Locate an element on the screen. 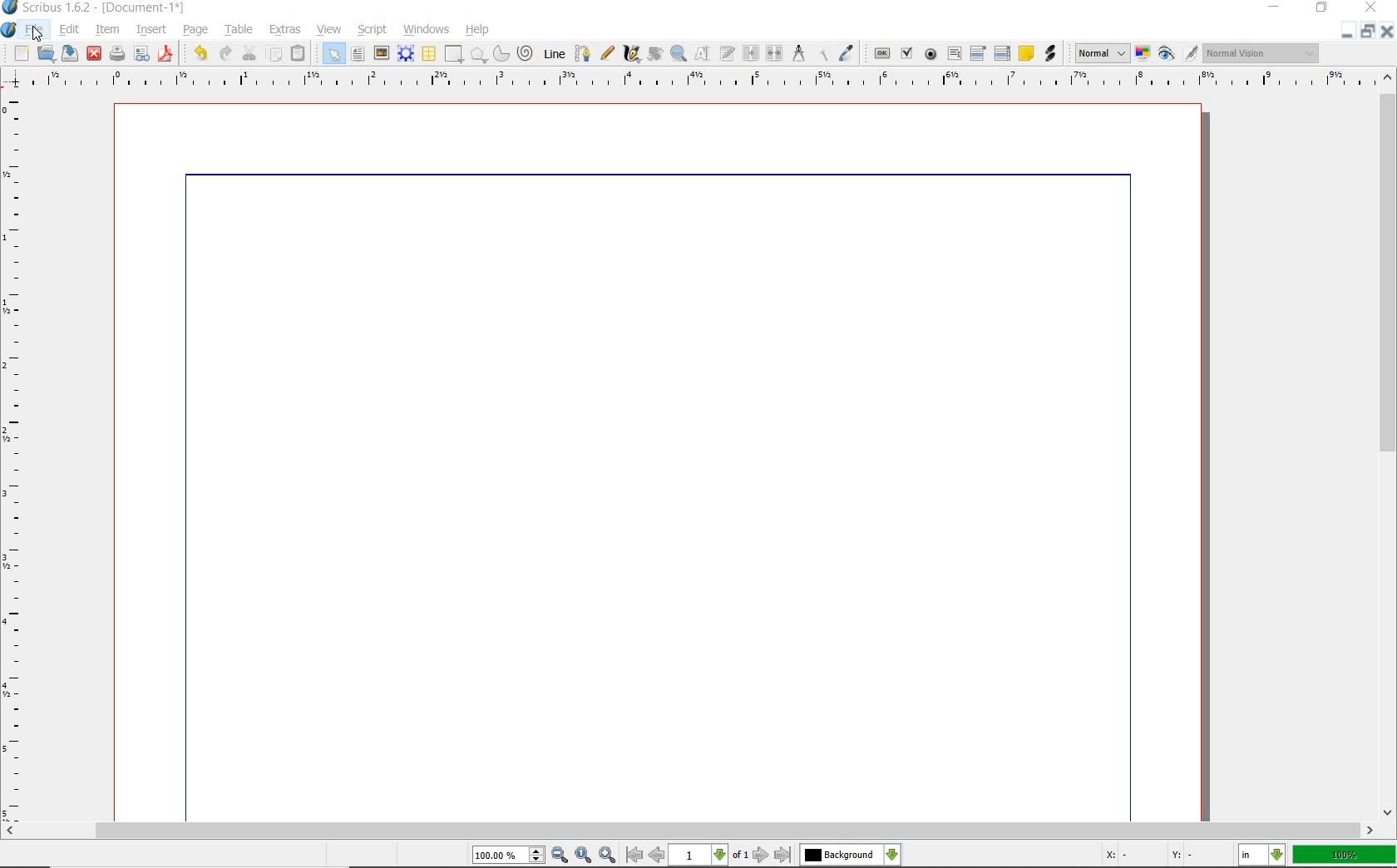 The width and height of the screenshot is (1397, 868). spiral is located at coordinates (527, 52).